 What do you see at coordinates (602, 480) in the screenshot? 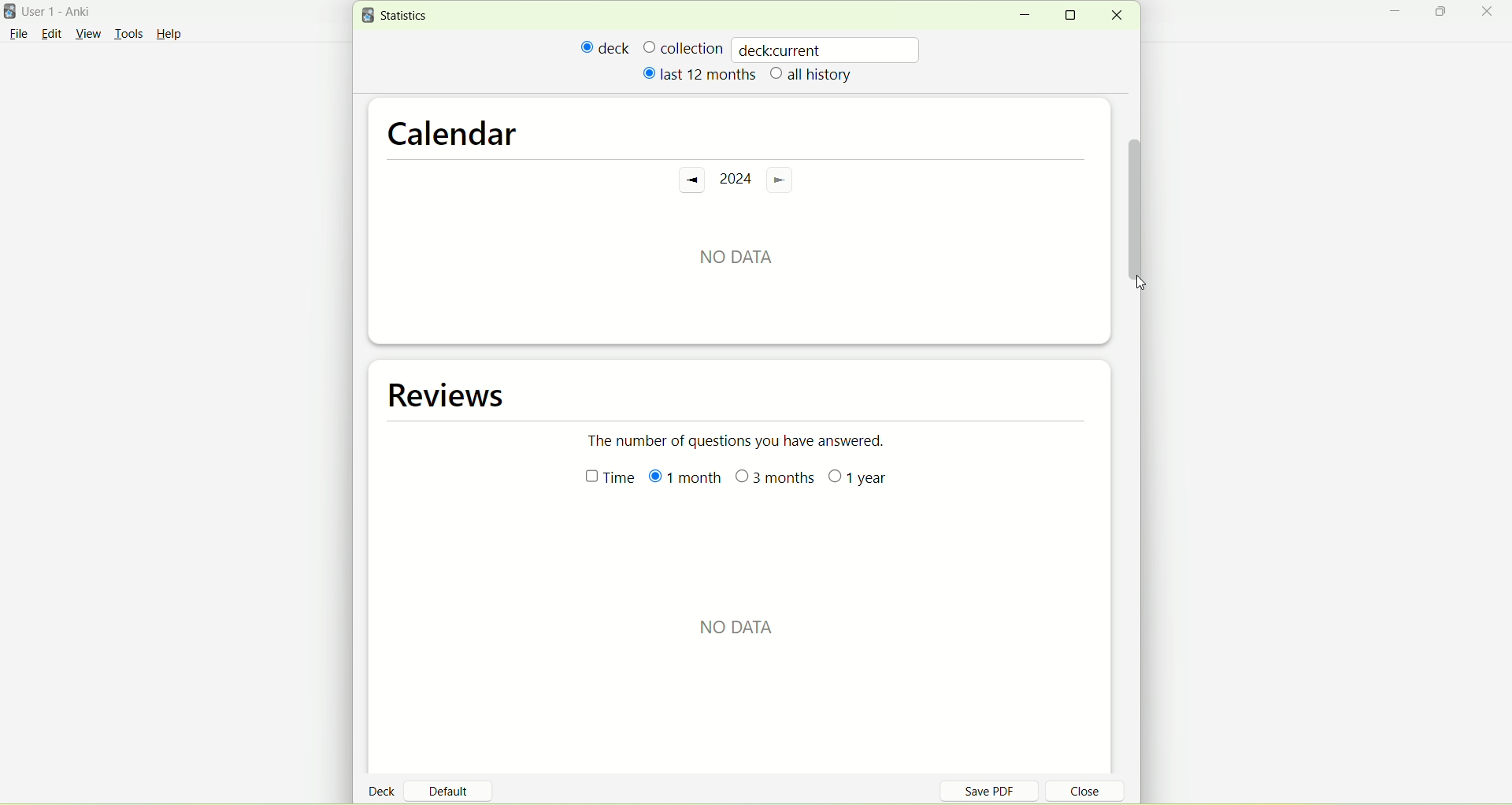
I see `time` at bounding box center [602, 480].